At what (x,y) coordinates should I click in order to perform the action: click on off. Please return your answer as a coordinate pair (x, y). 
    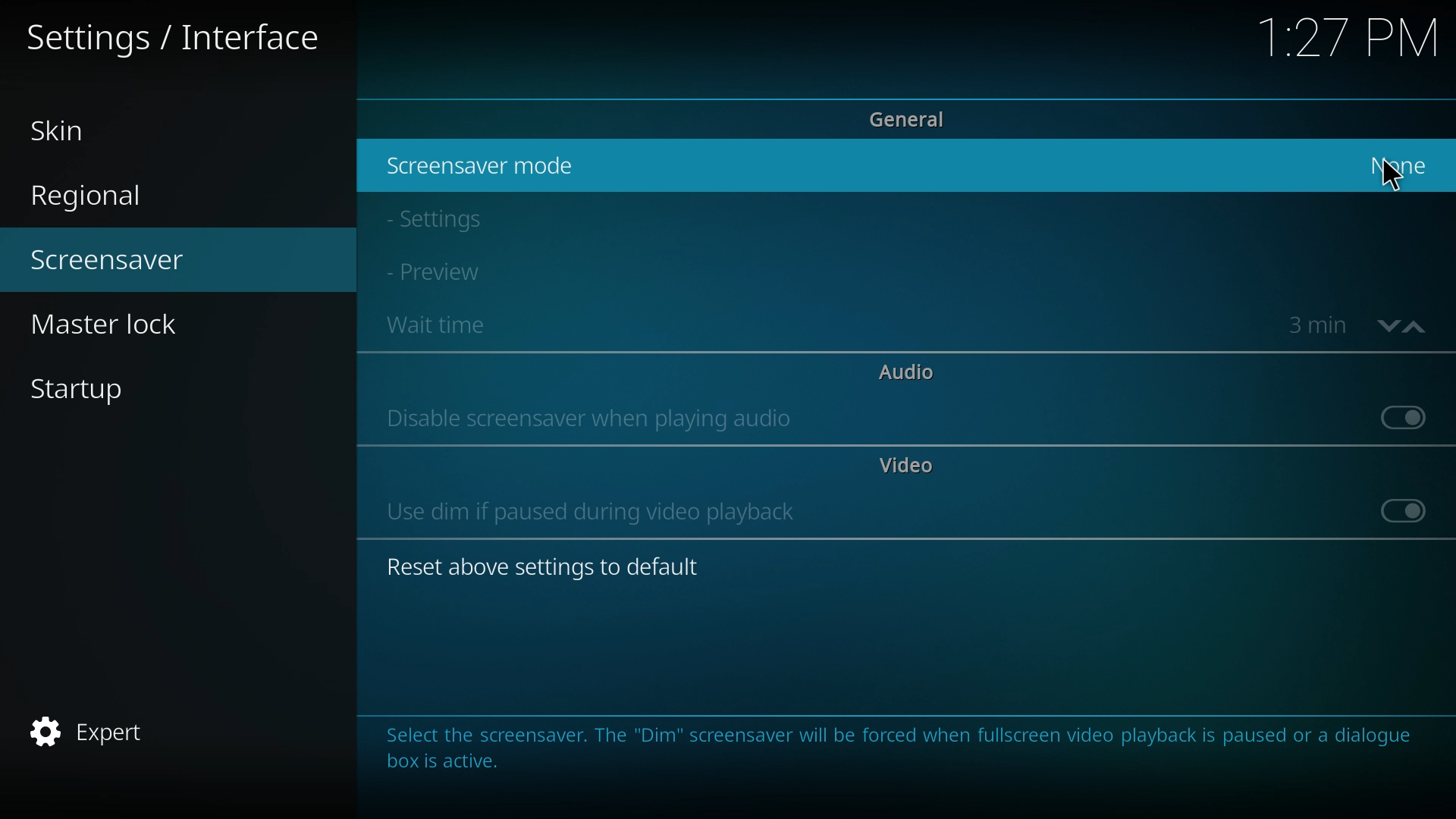
    Looking at the image, I should click on (1403, 417).